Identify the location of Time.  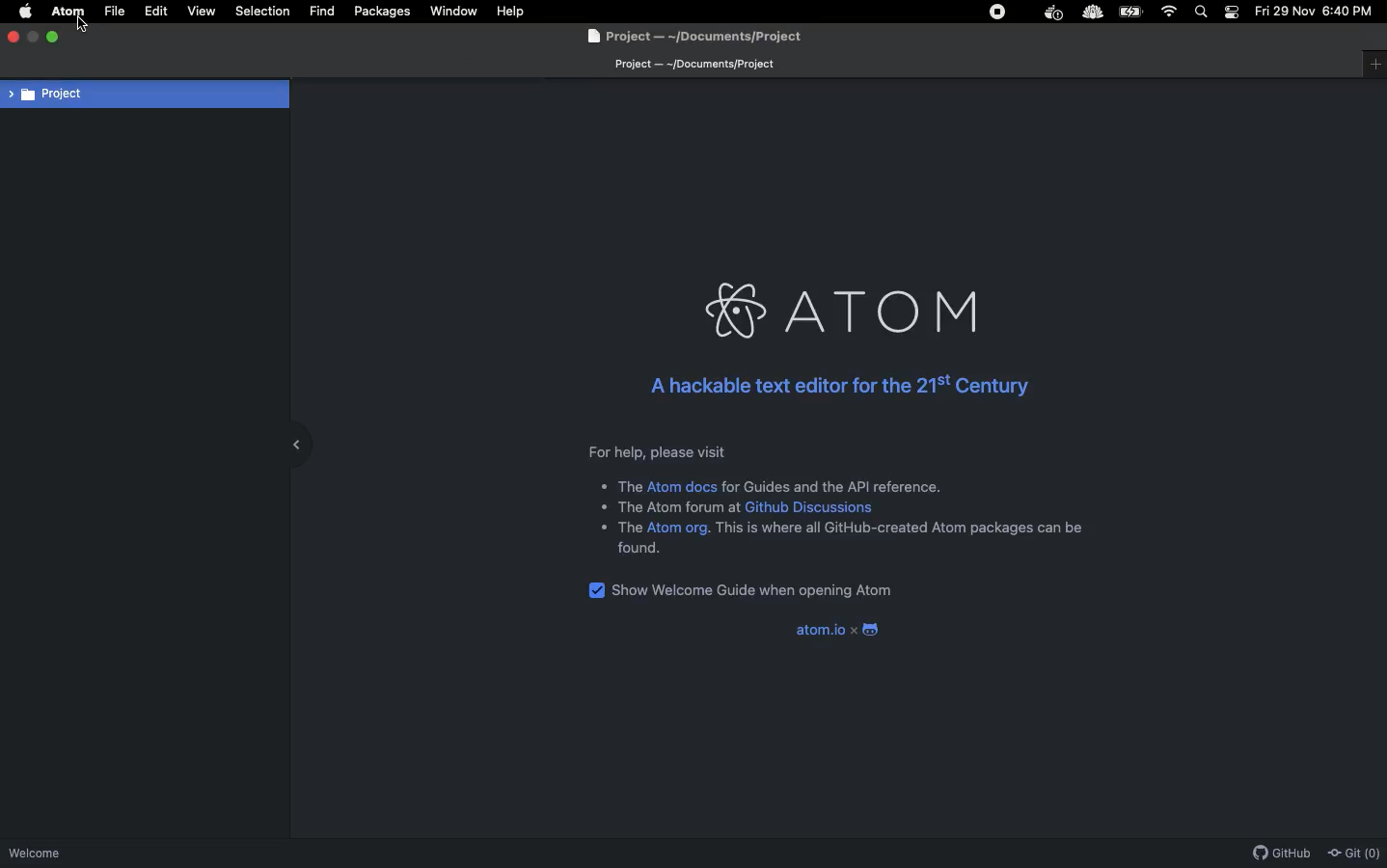
(1352, 14).